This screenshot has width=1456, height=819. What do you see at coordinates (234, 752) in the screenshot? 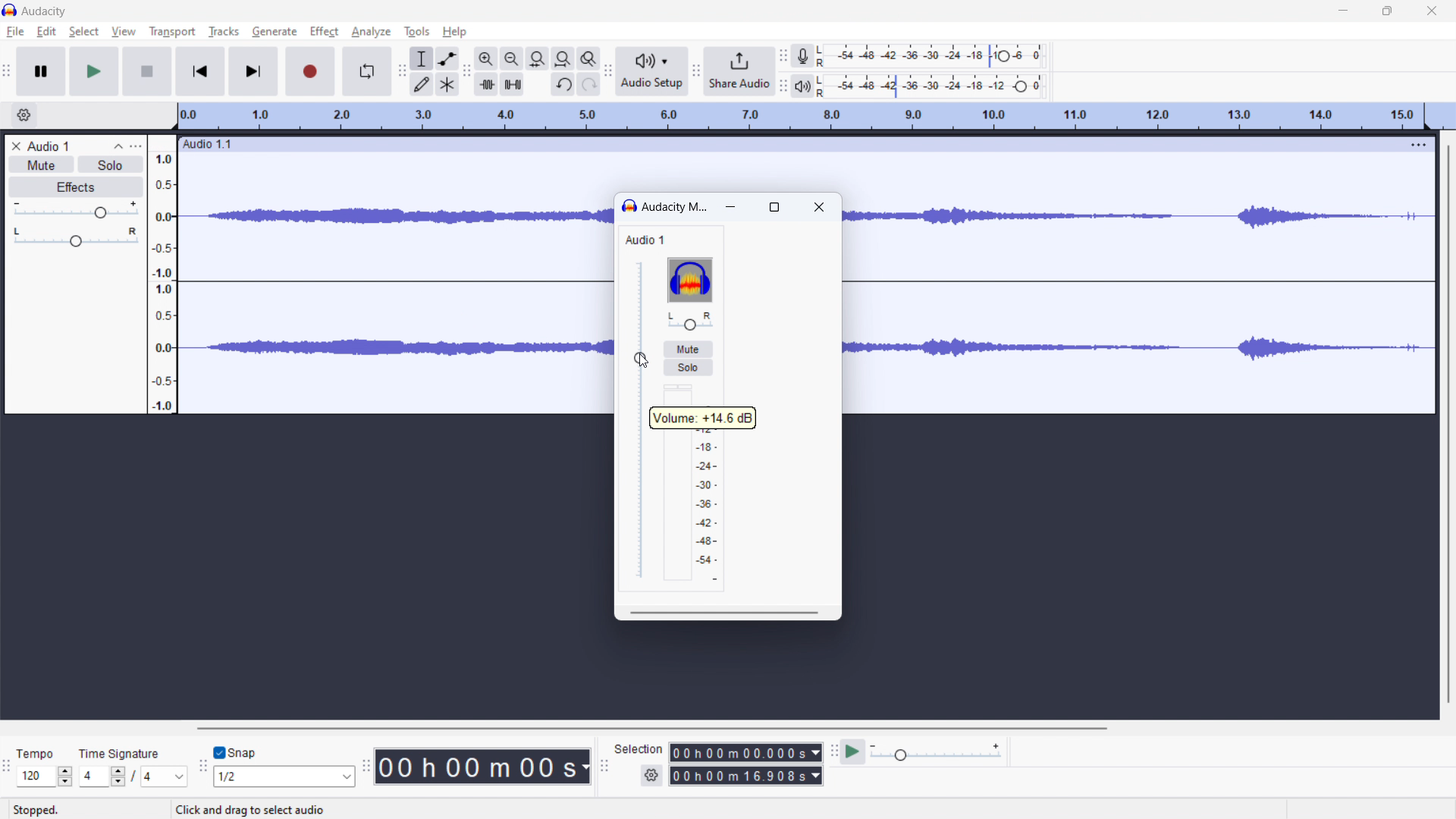
I see `toggle snap` at bounding box center [234, 752].